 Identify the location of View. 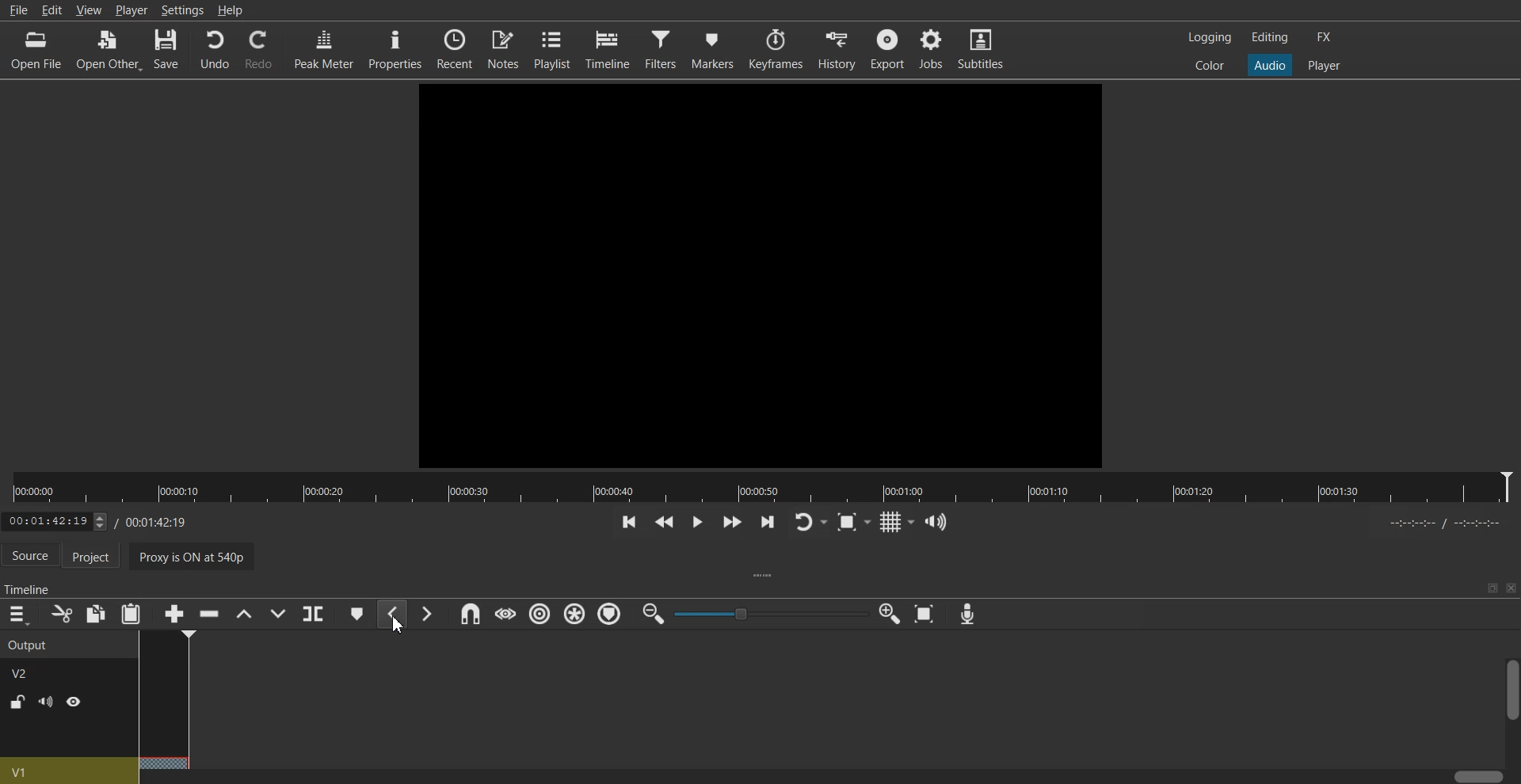
(90, 10).